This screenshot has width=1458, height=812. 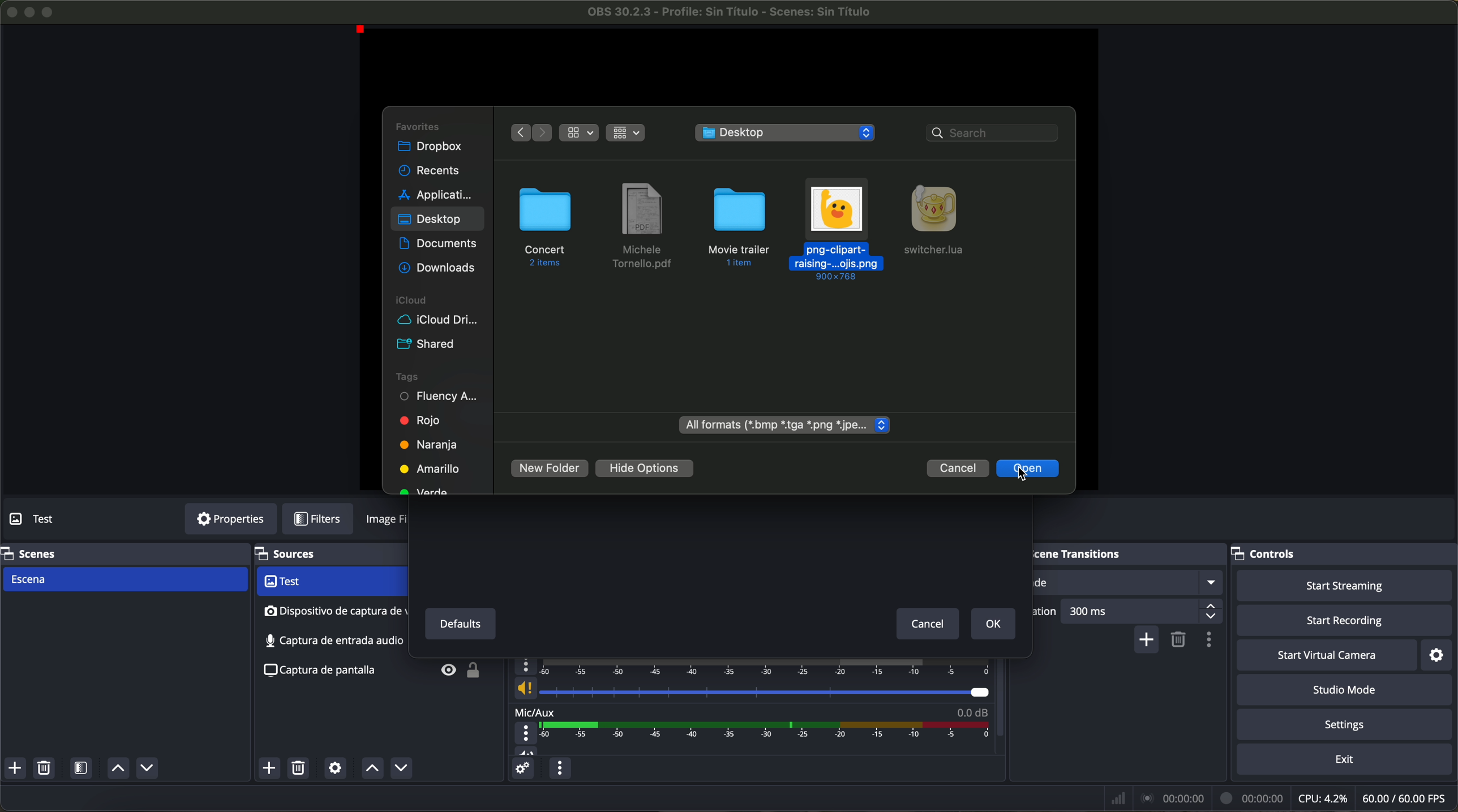 What do you see at coordinates (44, 768) in the screenshot?
I see `remove selected scene` at bounding box center [44, 768].